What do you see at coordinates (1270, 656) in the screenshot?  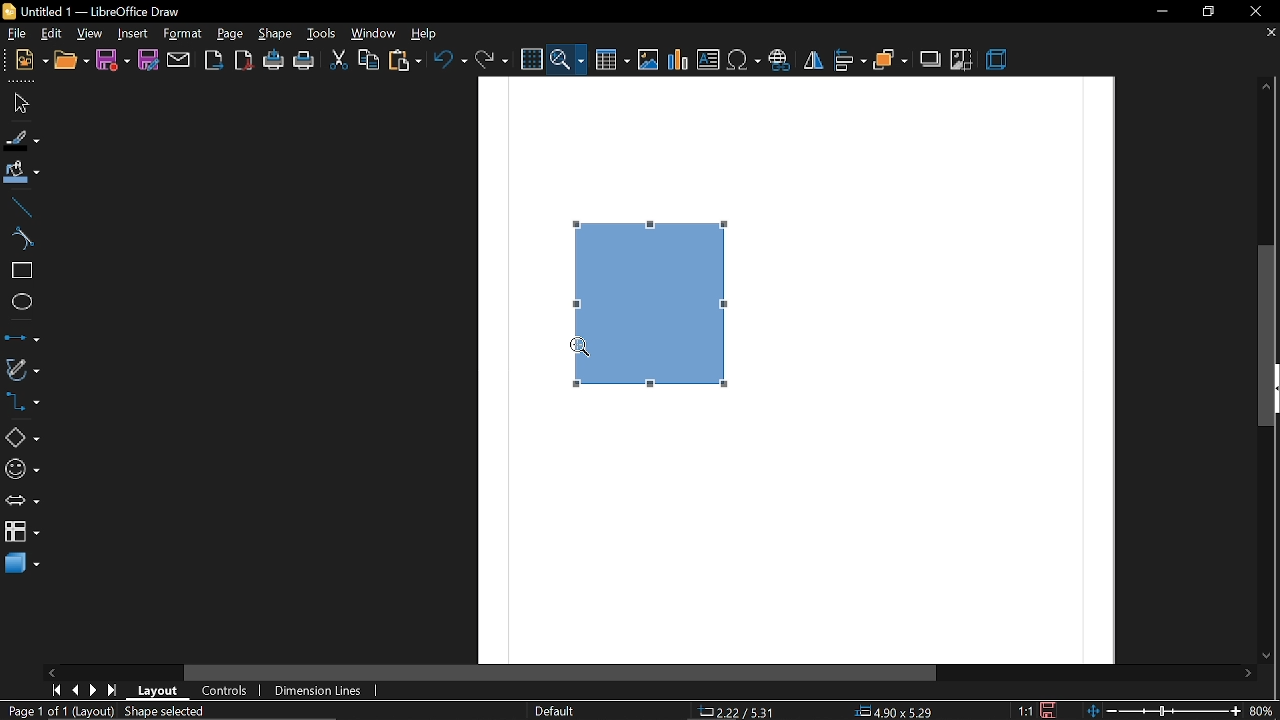 I see `move down` at bounding box center [1270, 656].